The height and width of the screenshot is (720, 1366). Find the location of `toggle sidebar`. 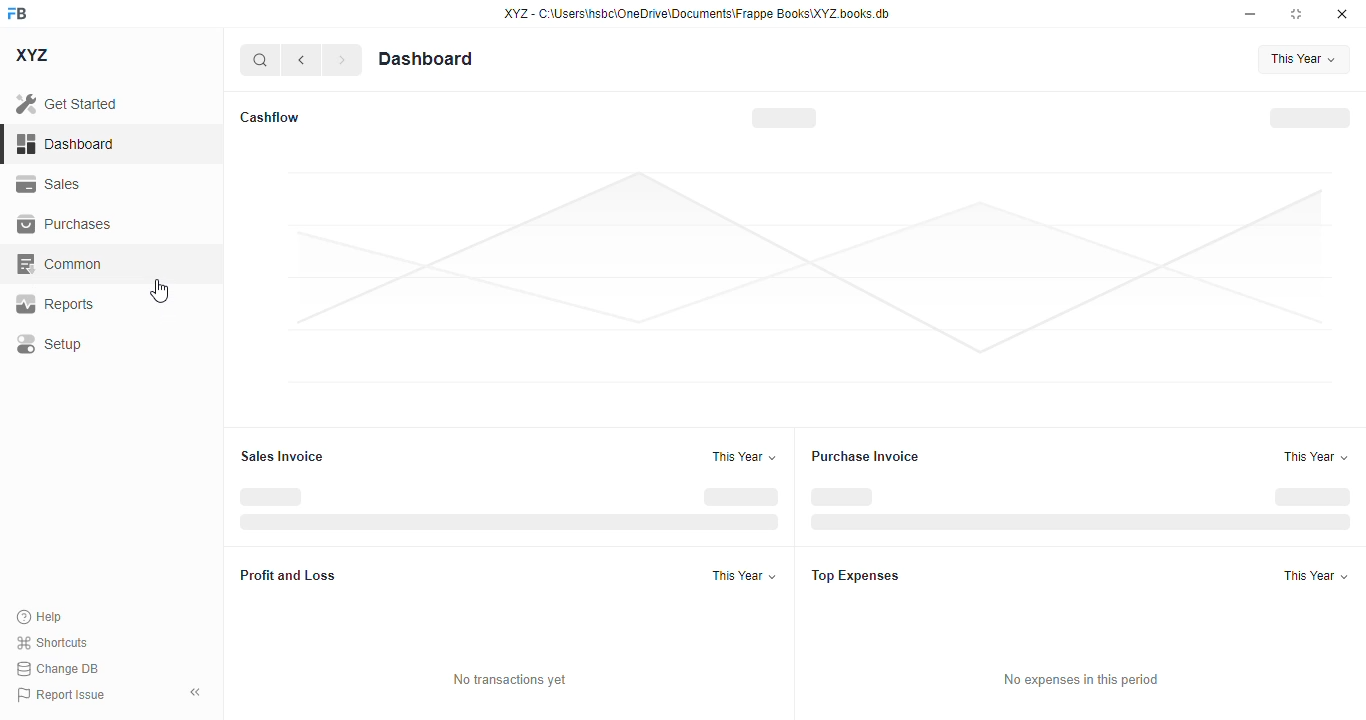

toggle sidebar is located at coordinates (197, 692).